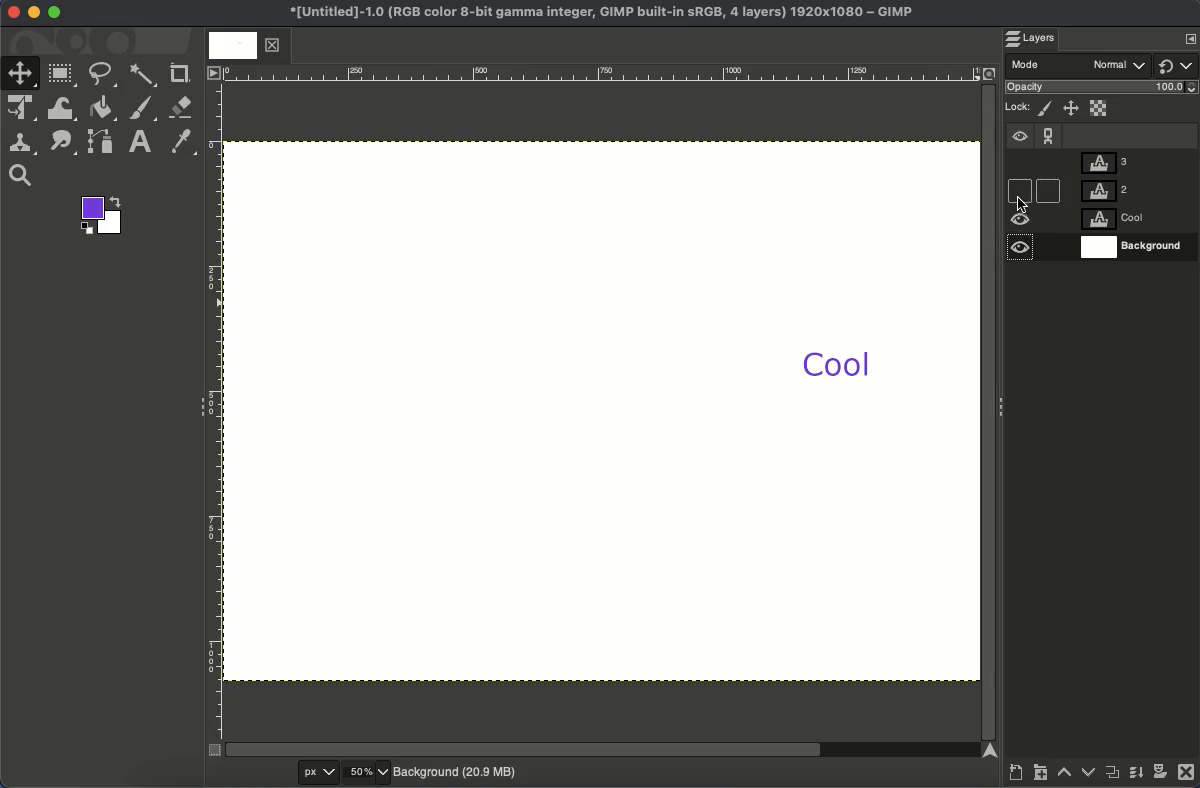 The image size is (1200, 788). Describe the element at coordinates (1023, 202) in the screenshot. I see `cursor` at that location.